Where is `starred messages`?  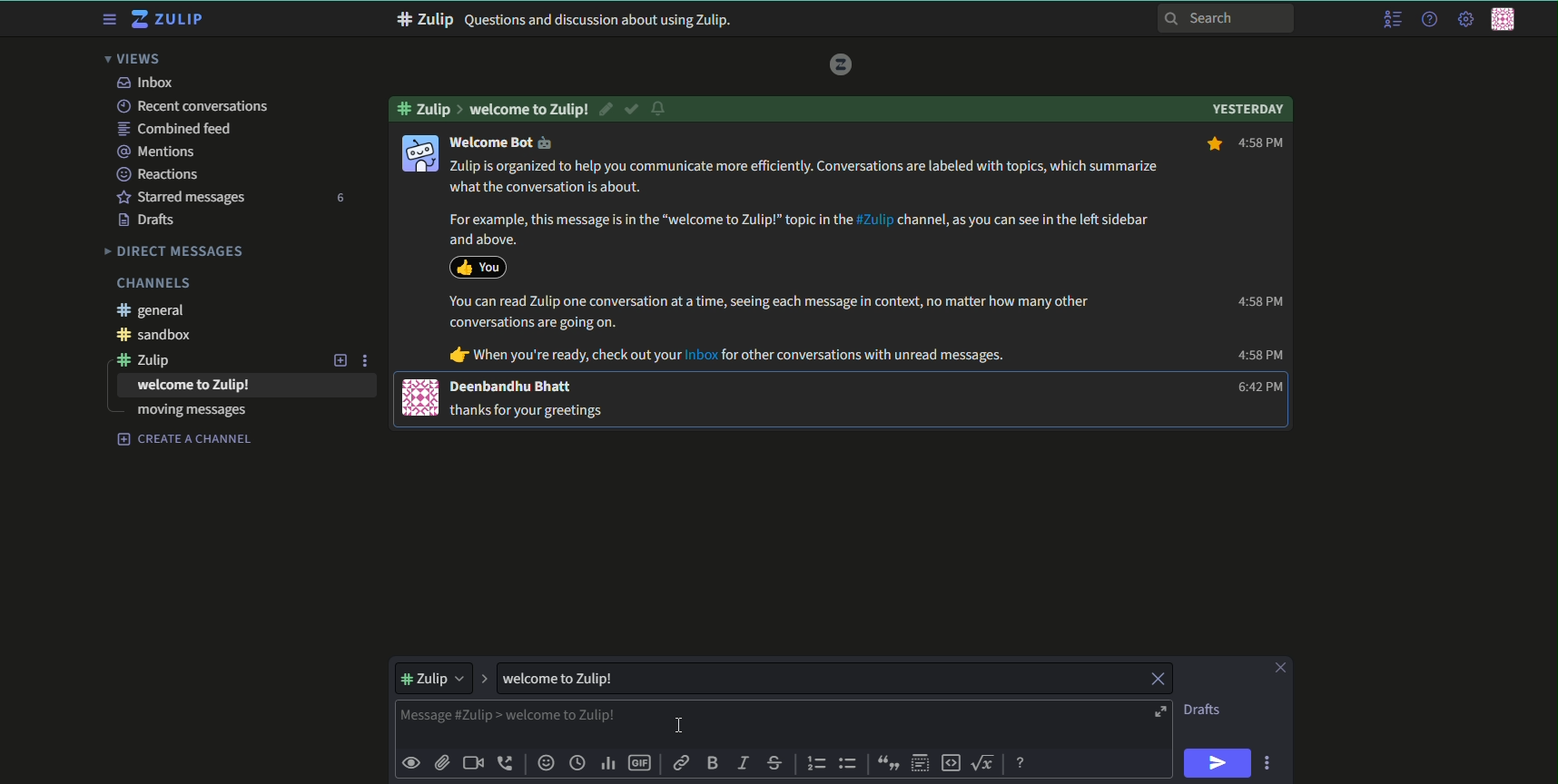
starred messages is located at coordinates (181, 196).